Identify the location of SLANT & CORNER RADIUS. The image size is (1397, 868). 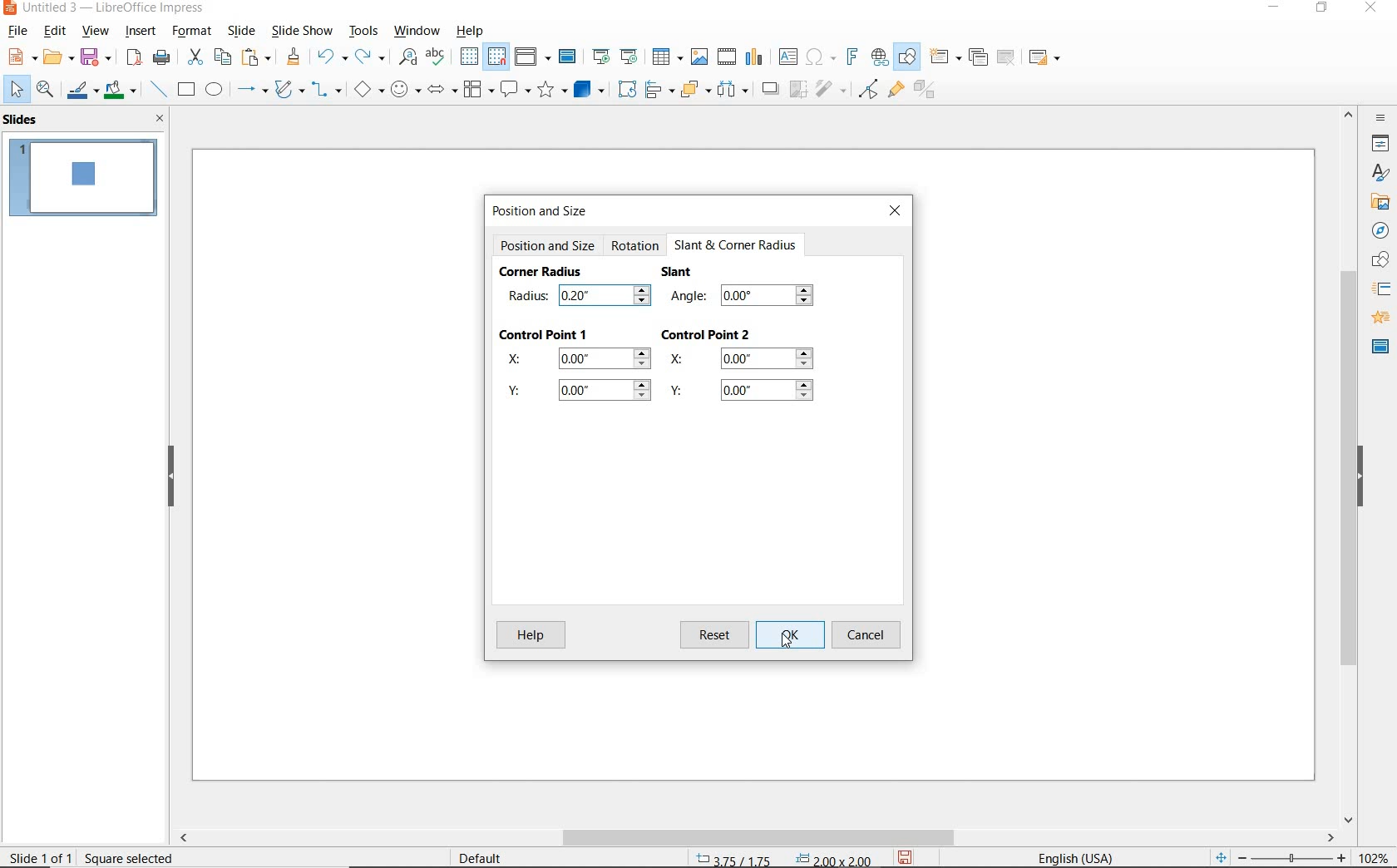
(735, 245).